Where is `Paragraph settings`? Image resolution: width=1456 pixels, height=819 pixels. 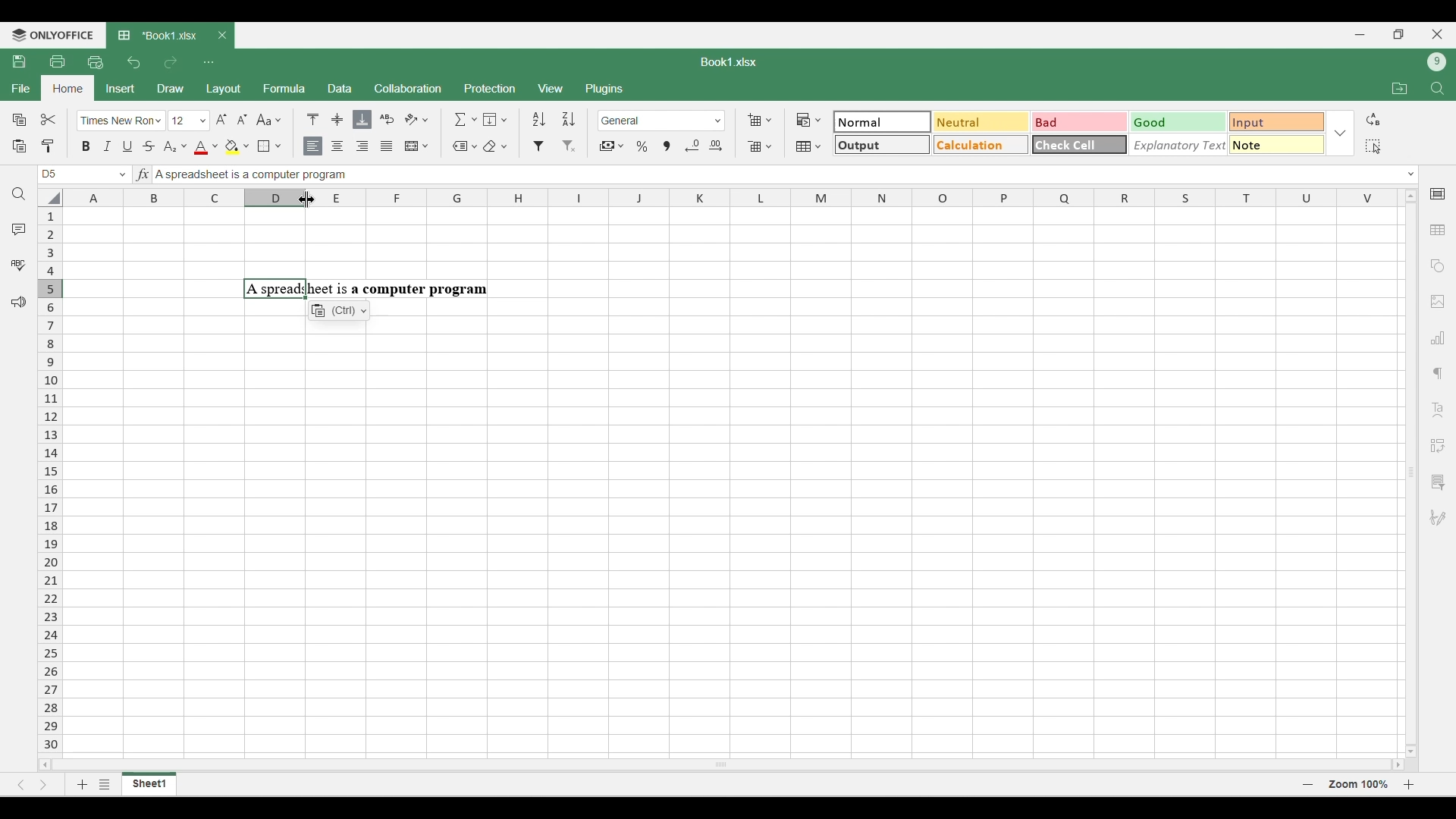 Paragraph settings is located at coordinates (1438, 374).